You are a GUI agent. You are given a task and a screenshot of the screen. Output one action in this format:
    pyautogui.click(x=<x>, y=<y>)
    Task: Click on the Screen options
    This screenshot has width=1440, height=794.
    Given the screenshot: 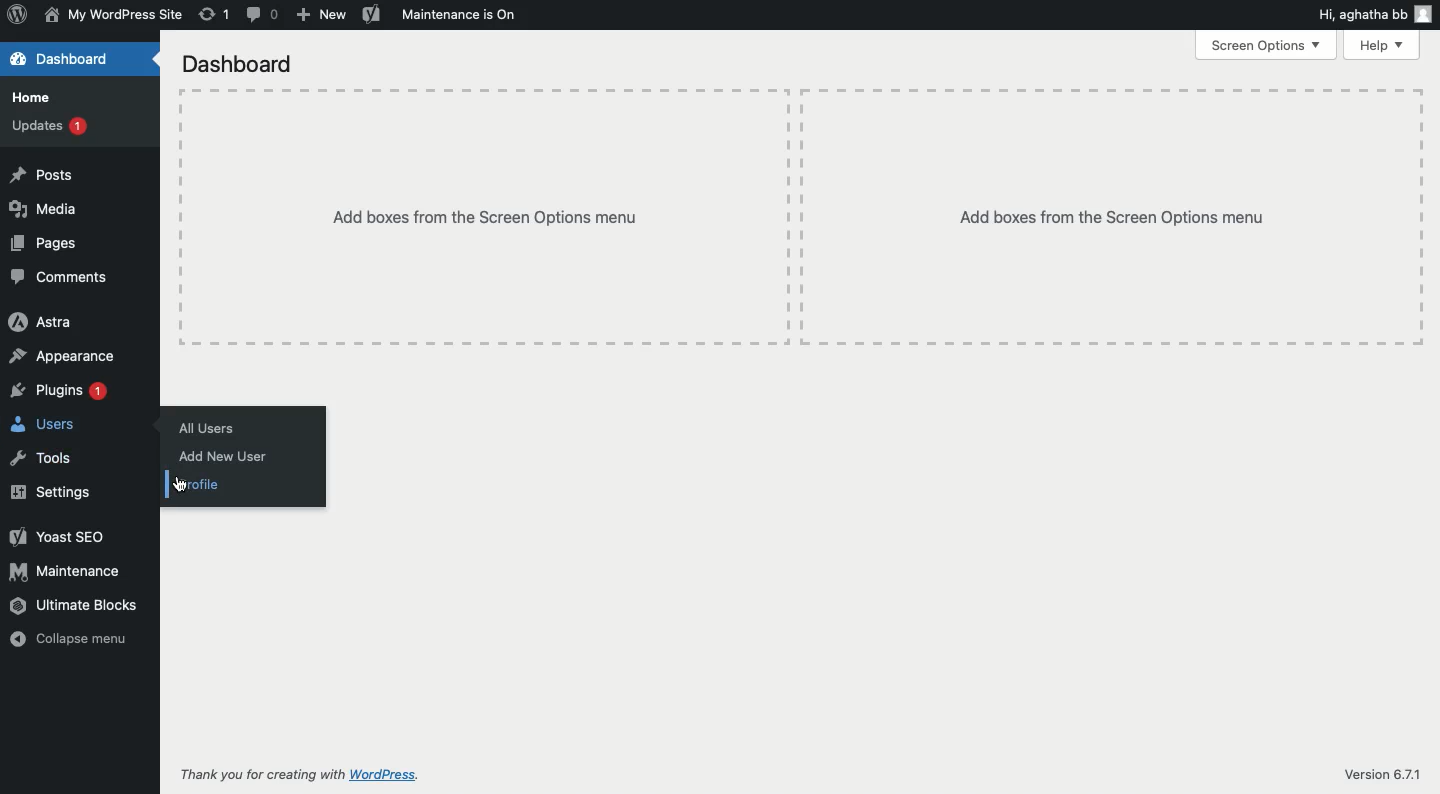 What is the action you would take?
    pyautogui.click(x=1265, y=46)
    